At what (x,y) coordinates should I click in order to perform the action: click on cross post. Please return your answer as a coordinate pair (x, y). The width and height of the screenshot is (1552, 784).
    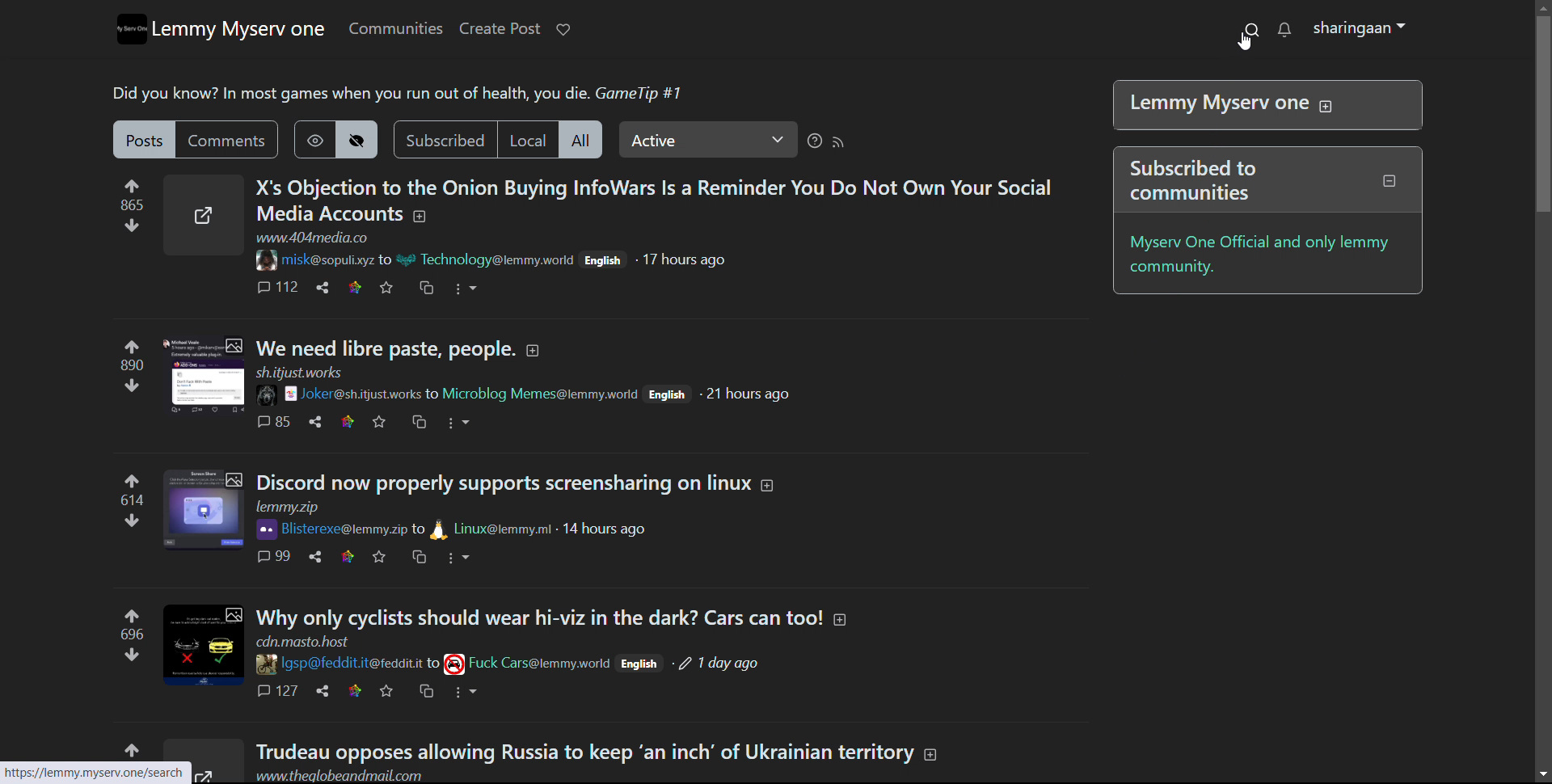
    Looking at the image, I should click on (419, 422).